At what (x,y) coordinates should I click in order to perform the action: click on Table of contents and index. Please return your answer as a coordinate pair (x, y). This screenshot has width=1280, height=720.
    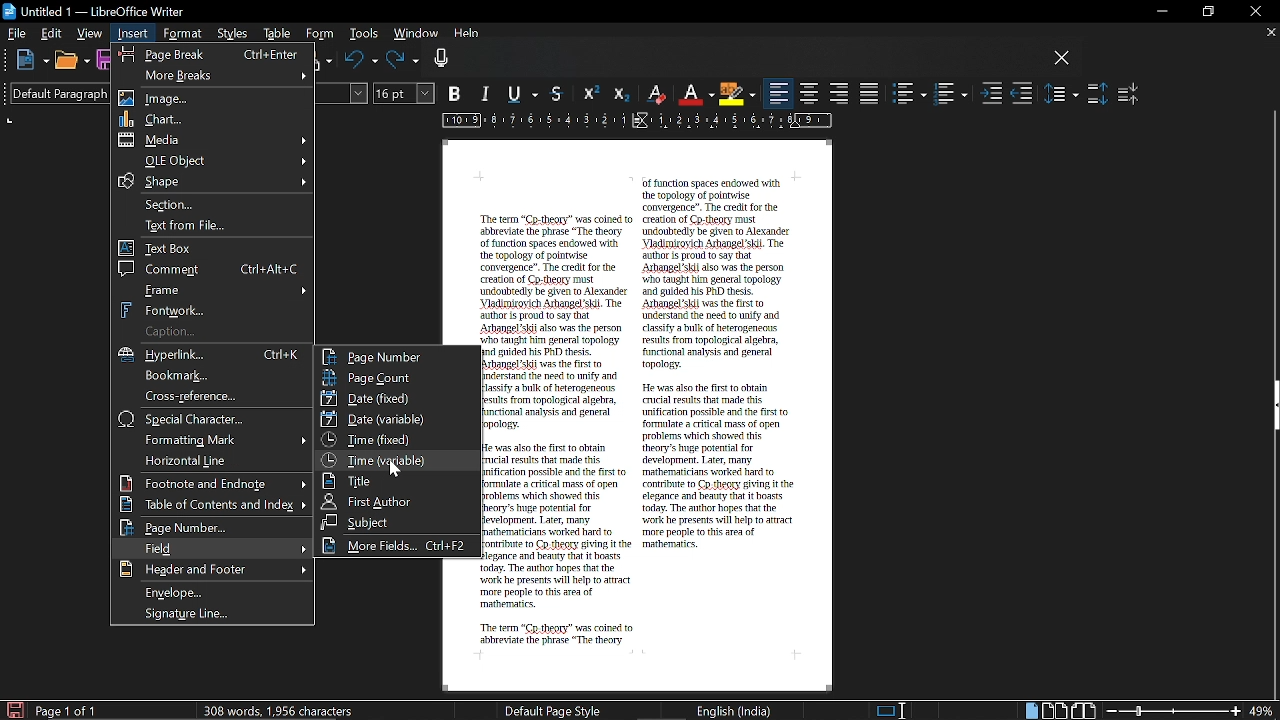
    Looking at the image, I should click on (214, 505).